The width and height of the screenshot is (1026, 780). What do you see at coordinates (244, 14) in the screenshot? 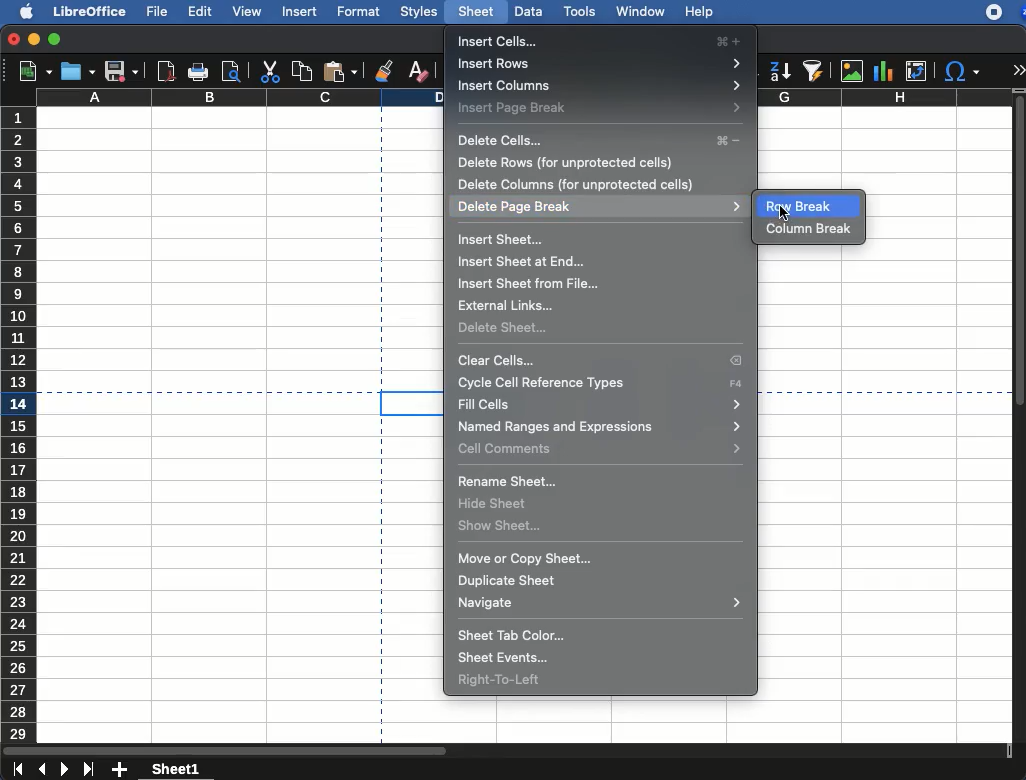
I see `view` at bounding box center [244, 14].